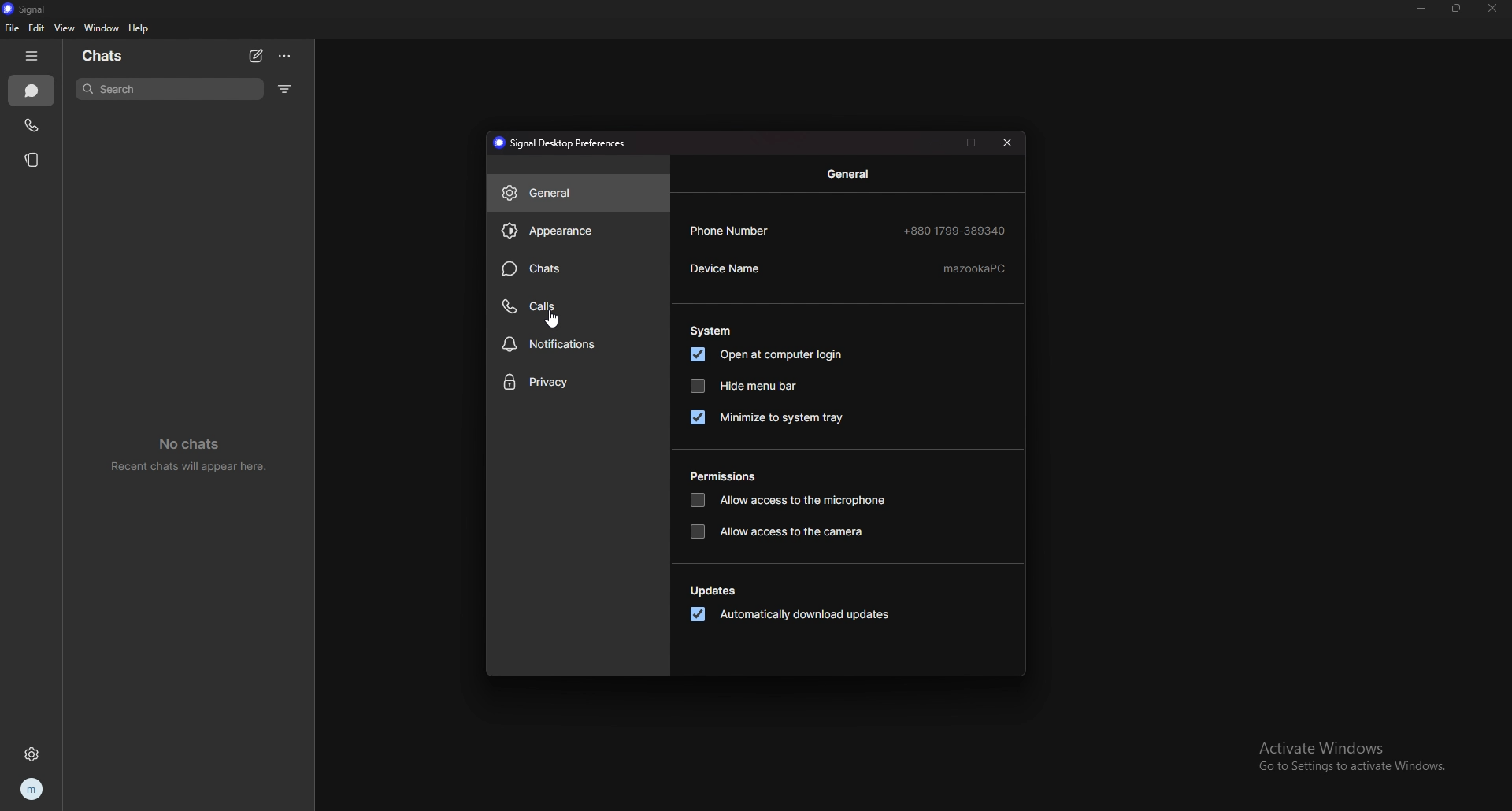 This screenshot has width=1512, height=811. What do you see at coordinates (32, 124) in the screenshot?
I see `calls` at bounding box center [32, 124].